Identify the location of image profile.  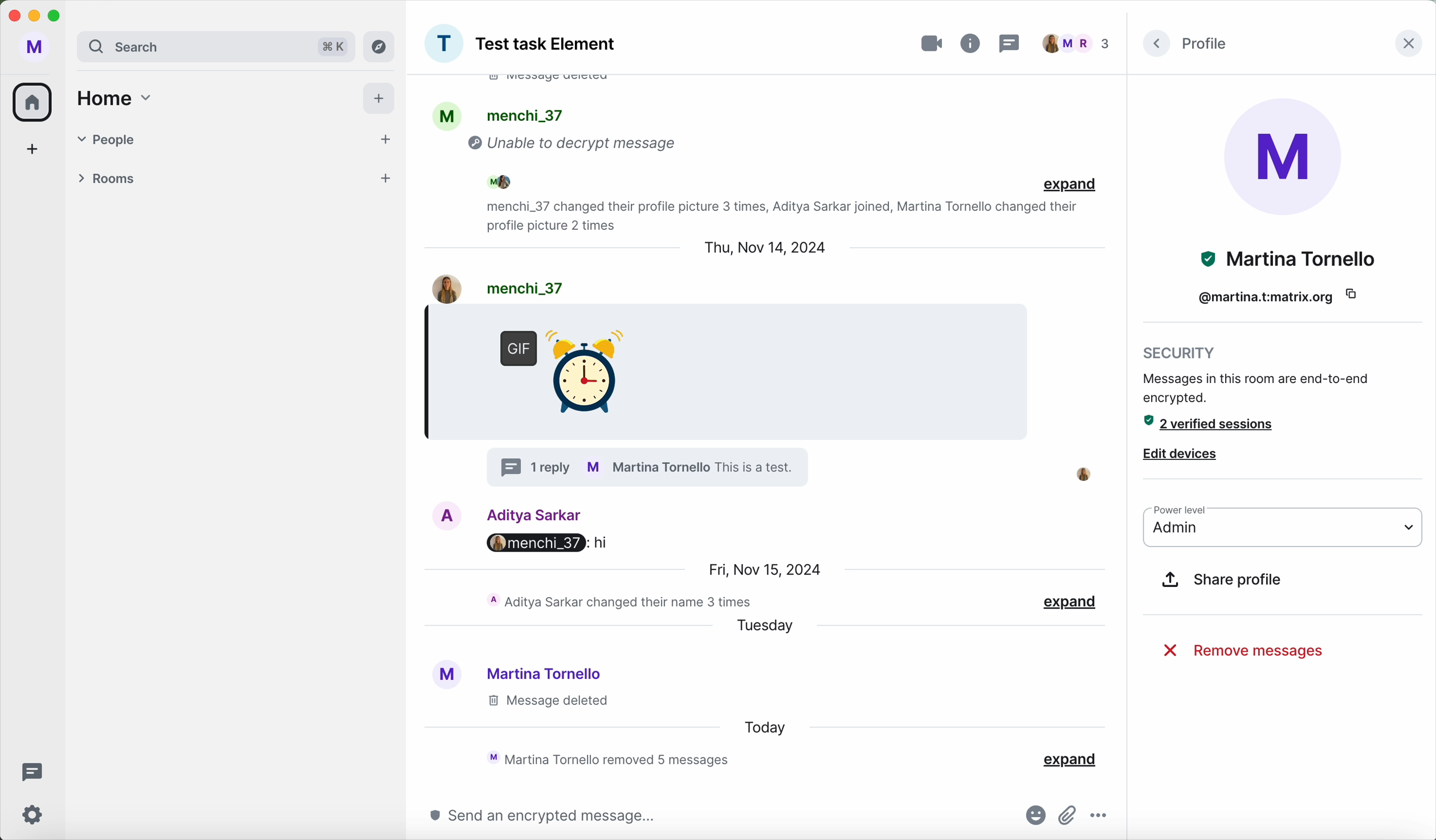
(437, 287).